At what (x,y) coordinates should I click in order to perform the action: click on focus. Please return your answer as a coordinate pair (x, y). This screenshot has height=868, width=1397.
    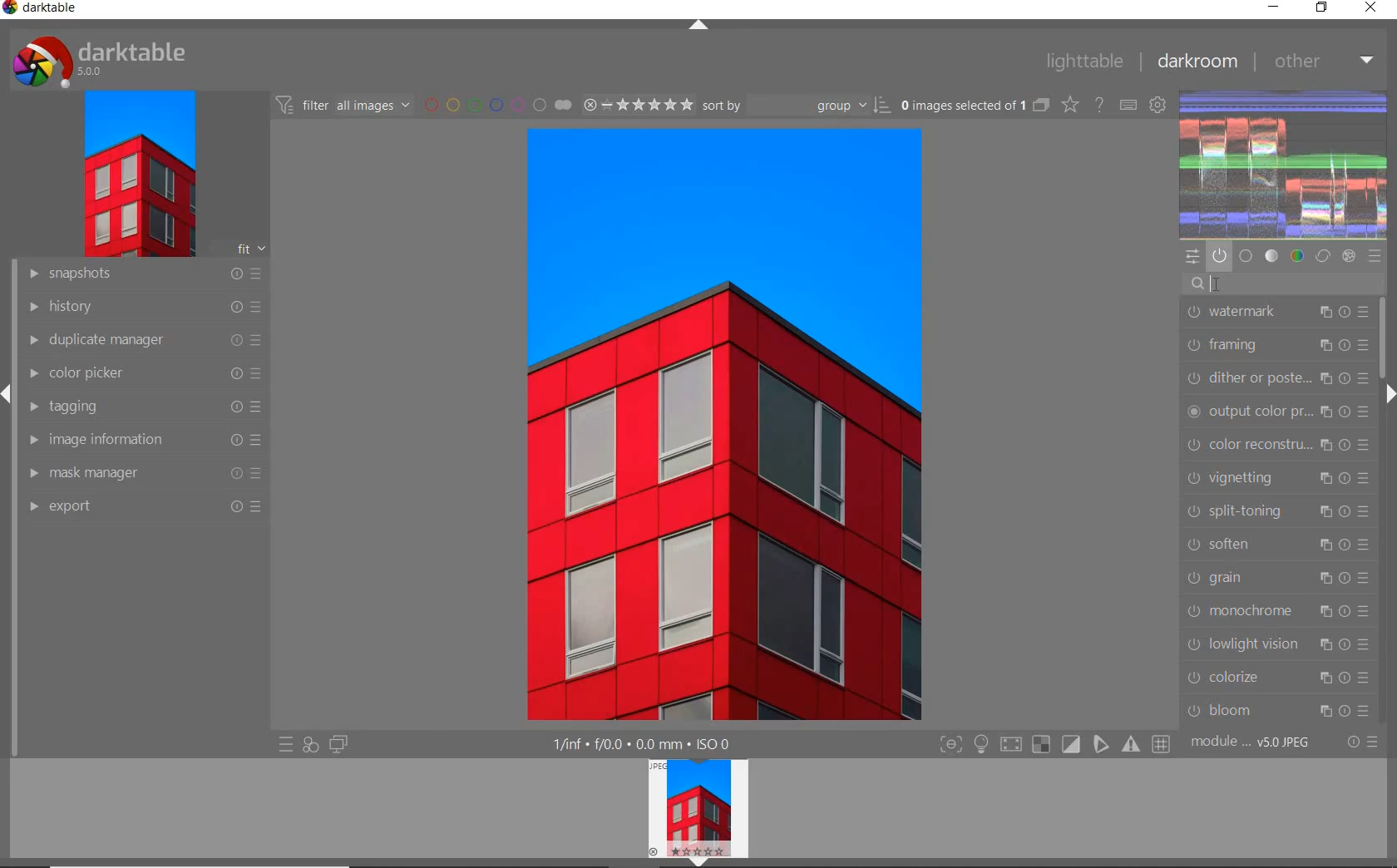
    Looking at the image, I should click on (950, 745).